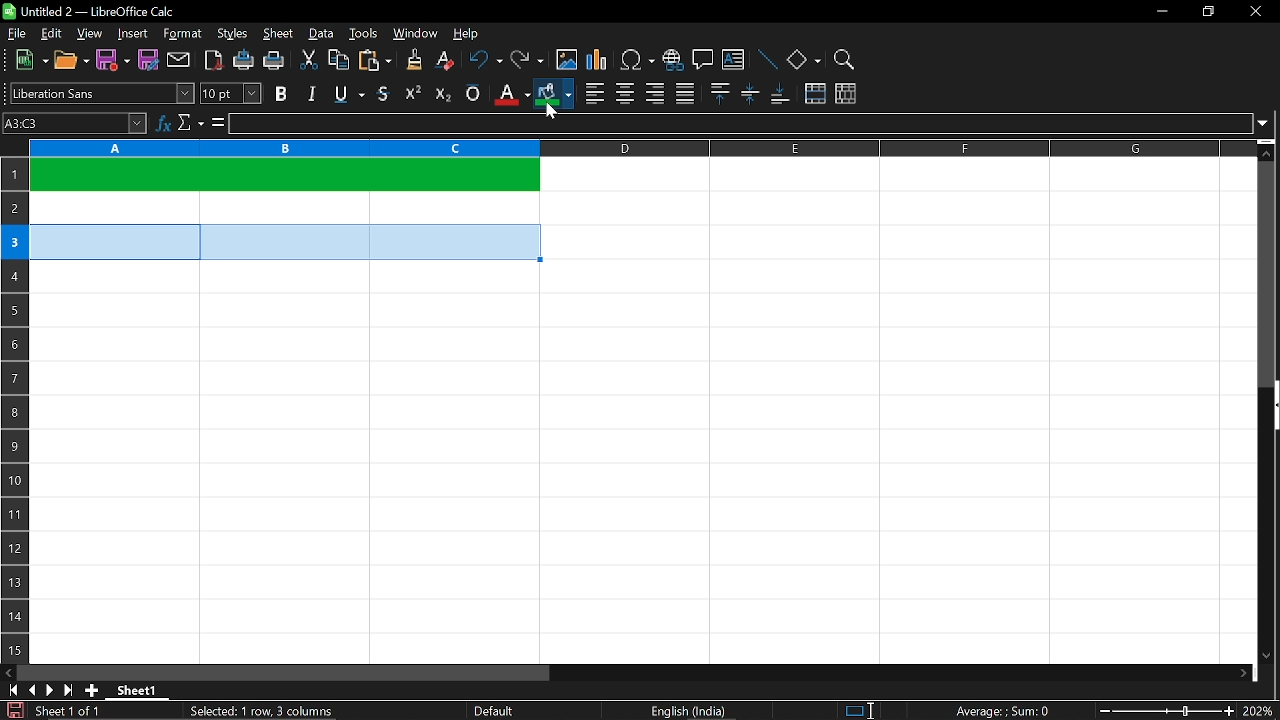 The width and height of the screenshot is (1280, 720). Describe the element at coordinates (364, 35) in the screenshot. I see `tools` at that location.